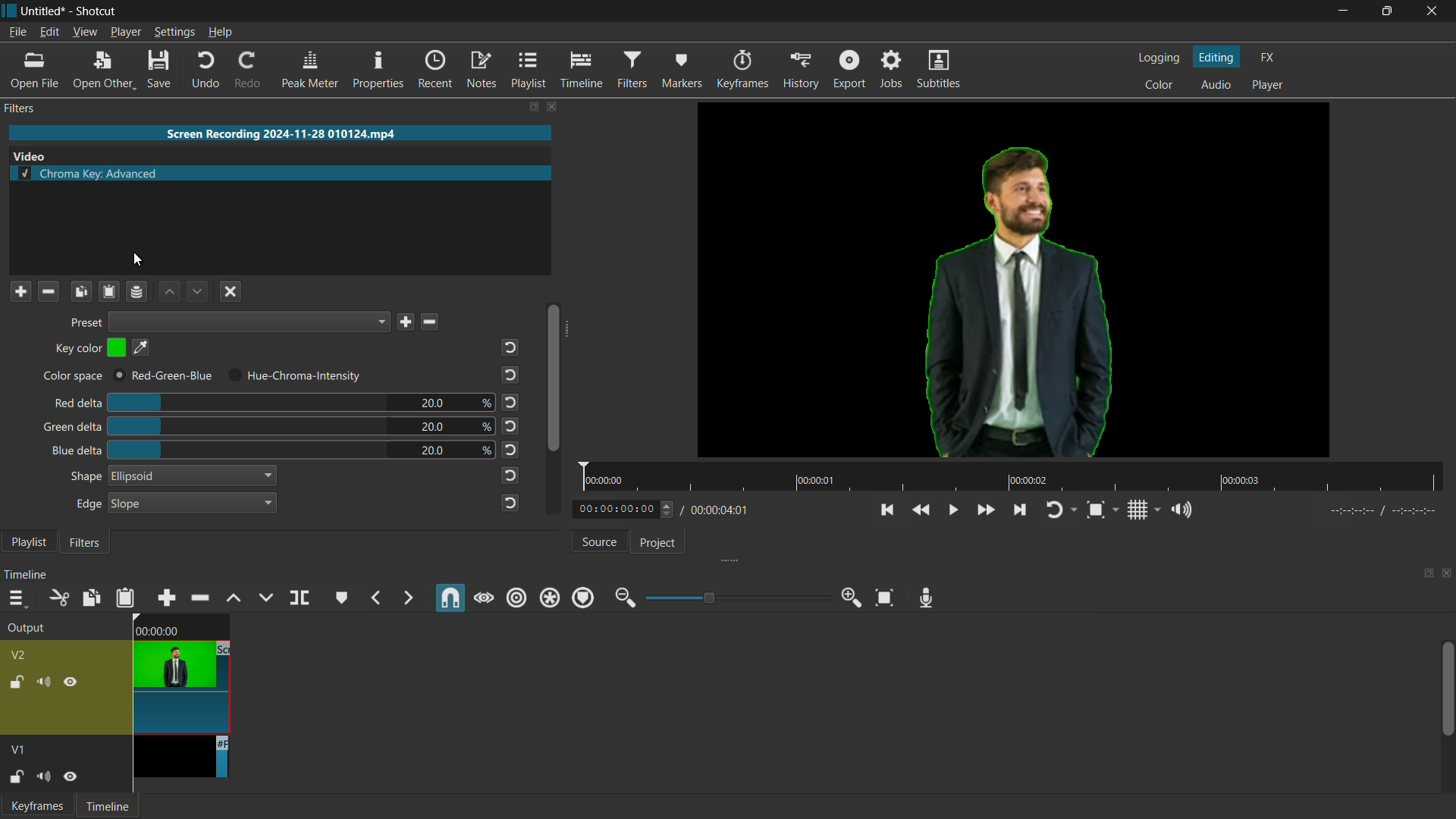 The width and height of the screenshot is (1456, 819). What do you see at coordinates (435, 71) in the screenshot?
I see `recent` at bounding box center [435, 71].